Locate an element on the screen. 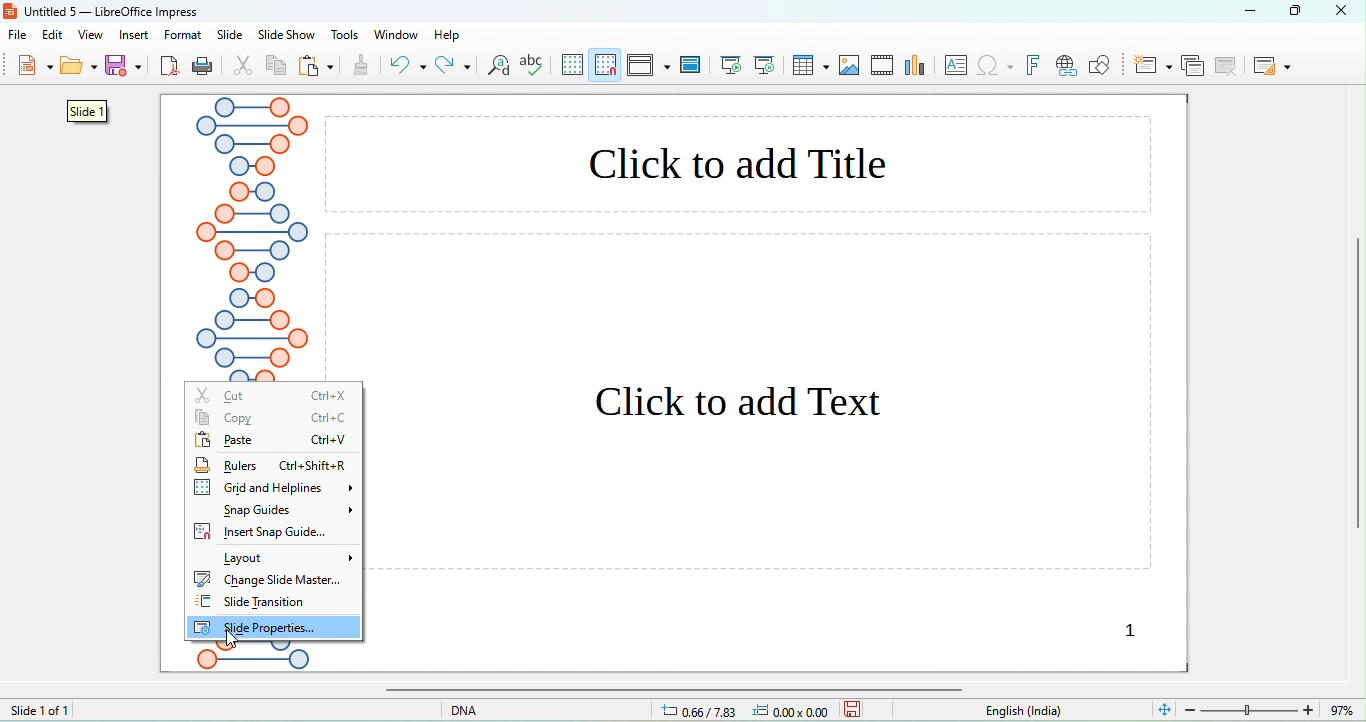 The height and width of the screenshot is (722, 1366). snap guides is located at coordinates (289, 510).